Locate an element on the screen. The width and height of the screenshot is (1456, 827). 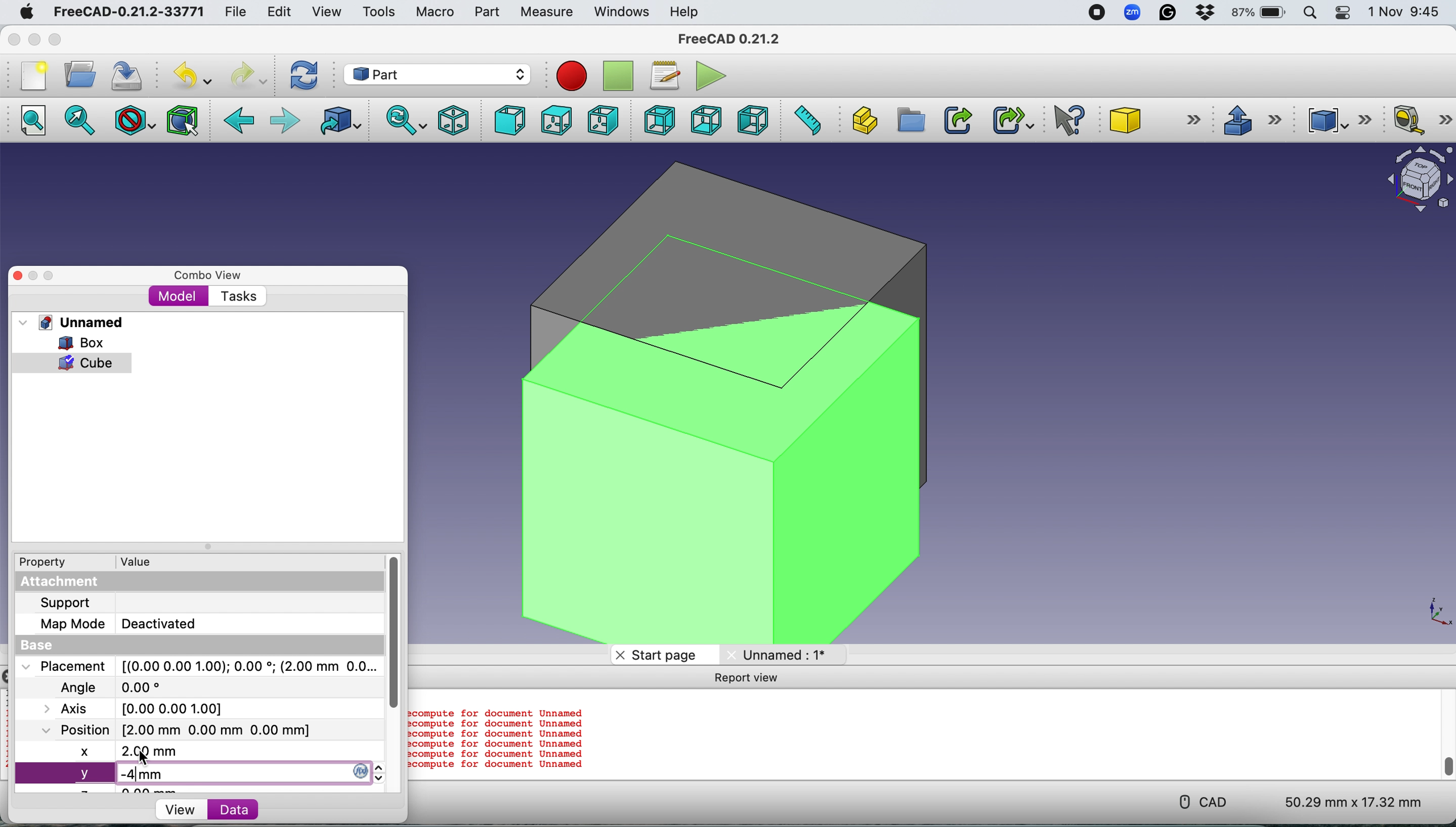
Measure linear is located at coordinates (1422, 122).